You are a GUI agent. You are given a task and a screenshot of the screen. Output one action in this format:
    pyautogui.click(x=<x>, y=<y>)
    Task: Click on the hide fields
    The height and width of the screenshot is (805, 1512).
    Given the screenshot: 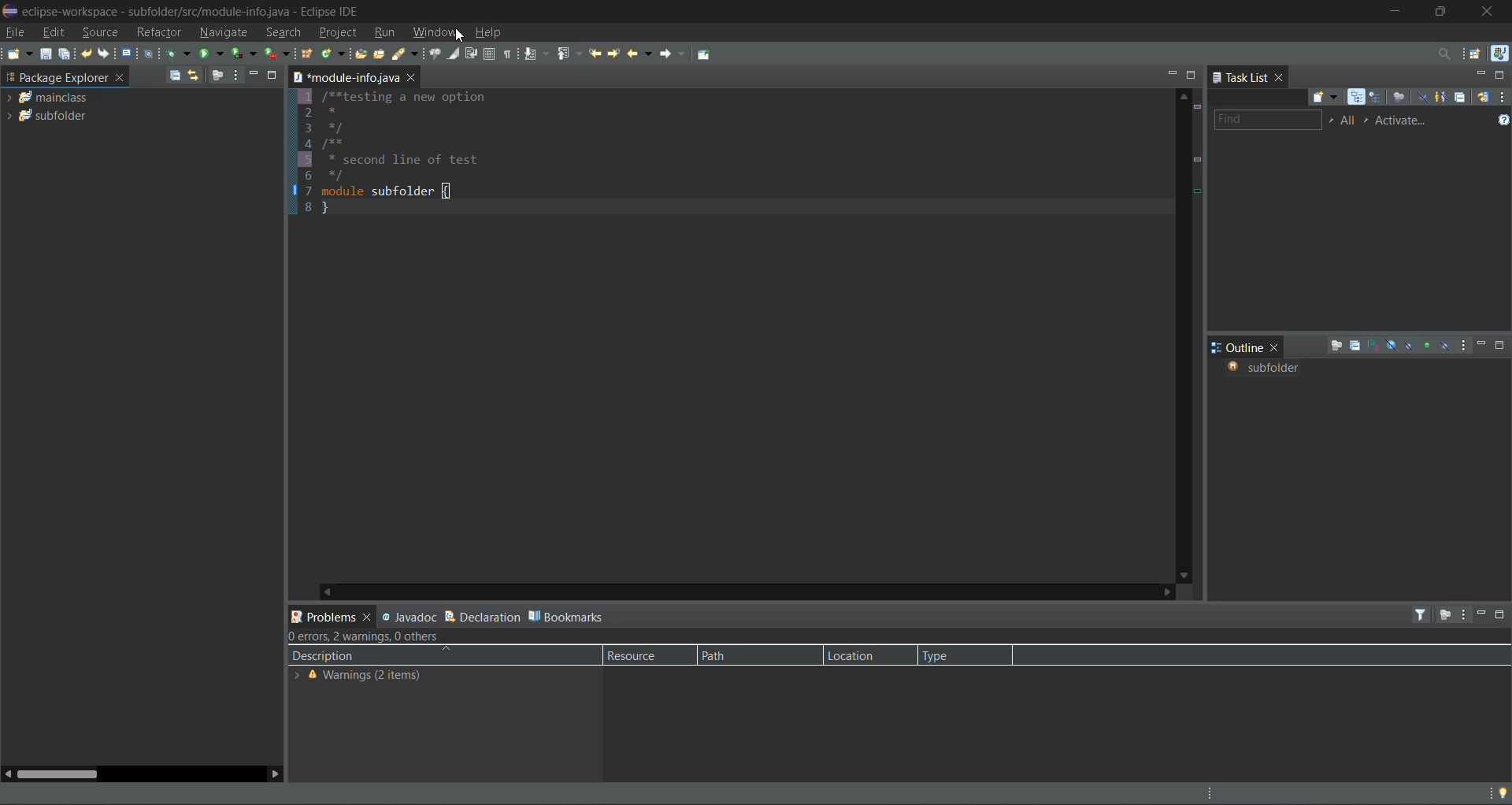 What is the action you would take?
    pyautogui.click(x=1392, y=343)
    